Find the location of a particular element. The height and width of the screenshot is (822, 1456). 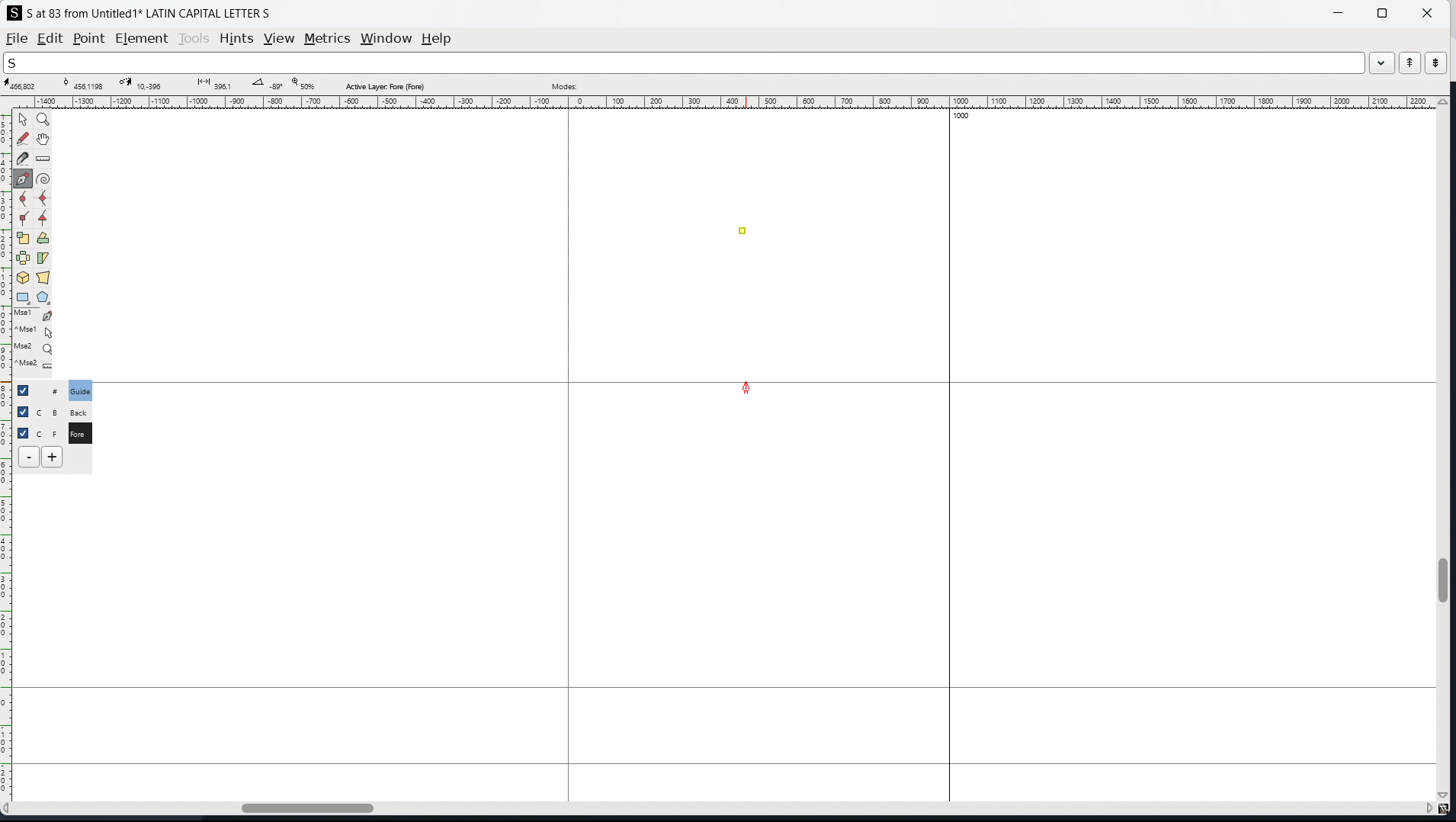

tools is located at coordinates (195, 38).